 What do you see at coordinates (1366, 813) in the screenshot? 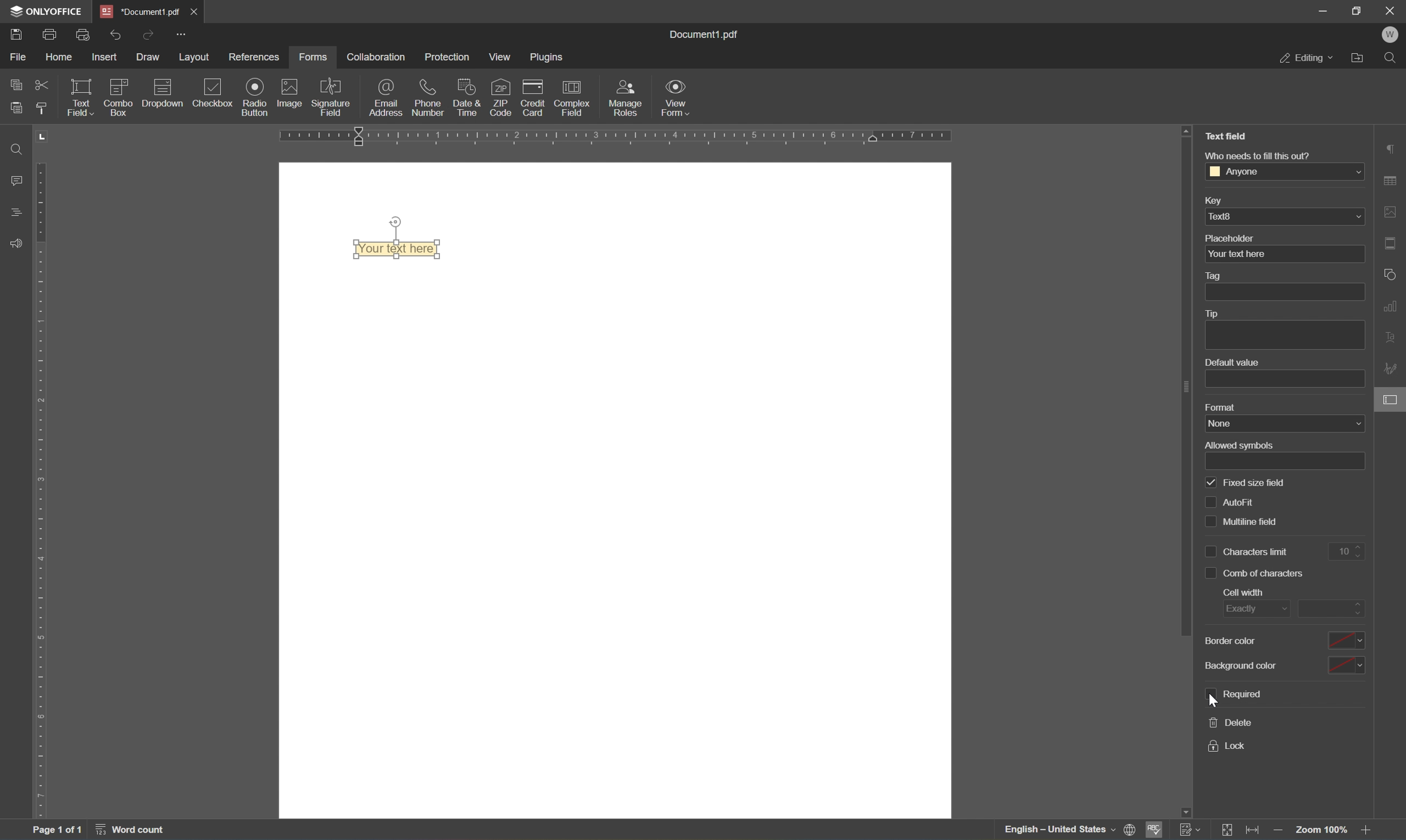
I see `scroll down` at bounding box center [1366, 813].